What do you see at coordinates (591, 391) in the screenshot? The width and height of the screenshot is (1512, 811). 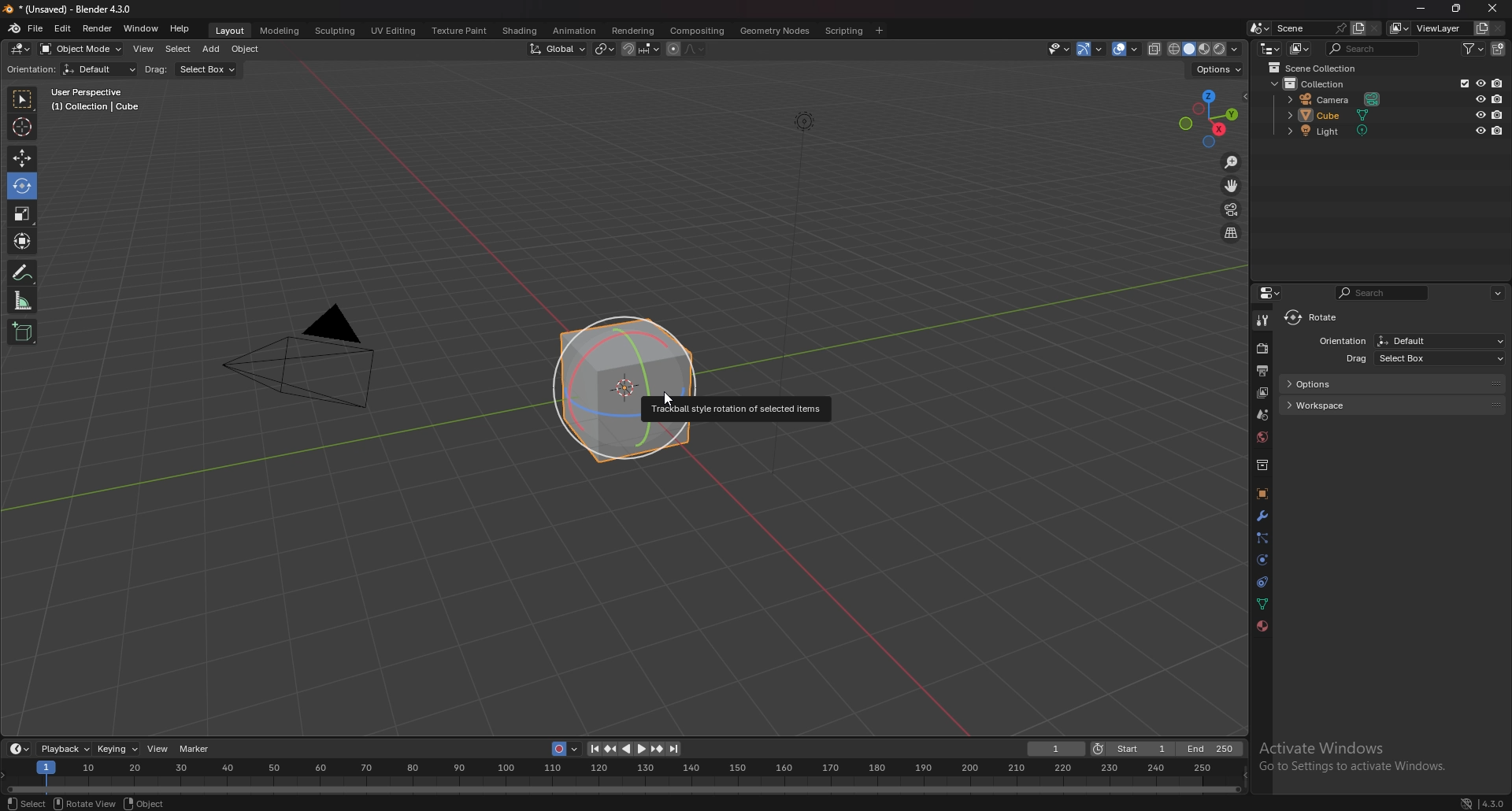 I see `cube` at bounding box center [591, 391].